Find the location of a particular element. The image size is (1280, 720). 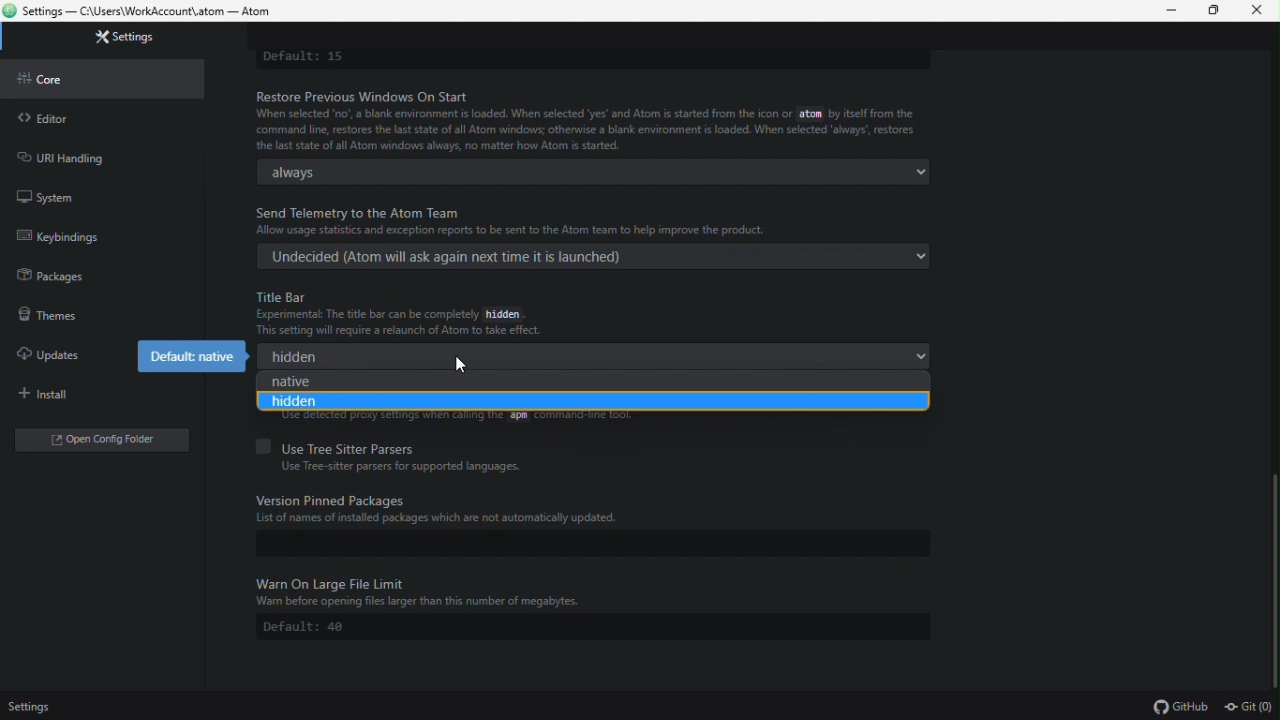

‘Warm before opening files larger than this number of megabytes. is located at coordinates (423, 603).